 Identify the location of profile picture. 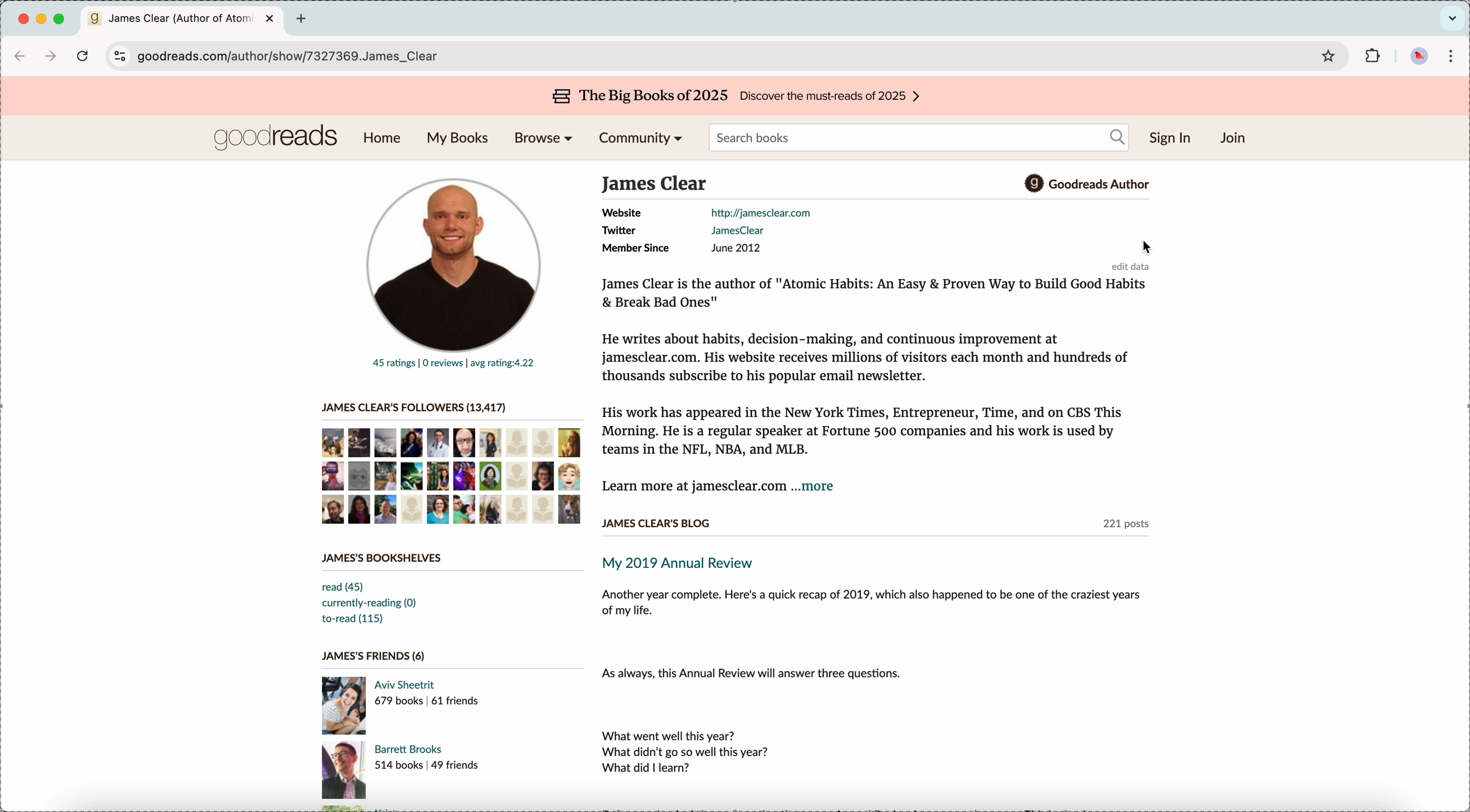
(450, 259).